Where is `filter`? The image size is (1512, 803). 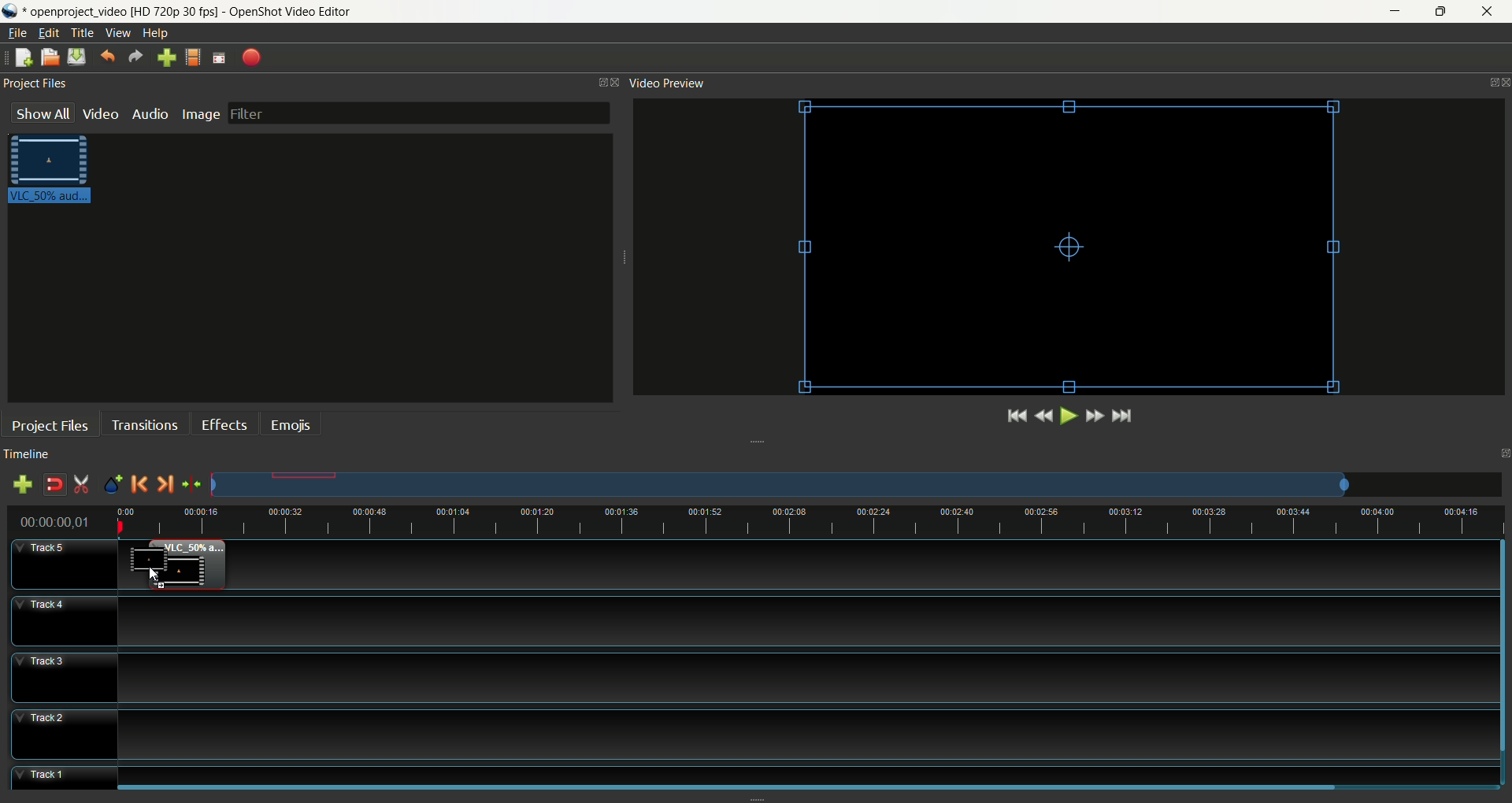 filter is located at coordinates (421, 113).